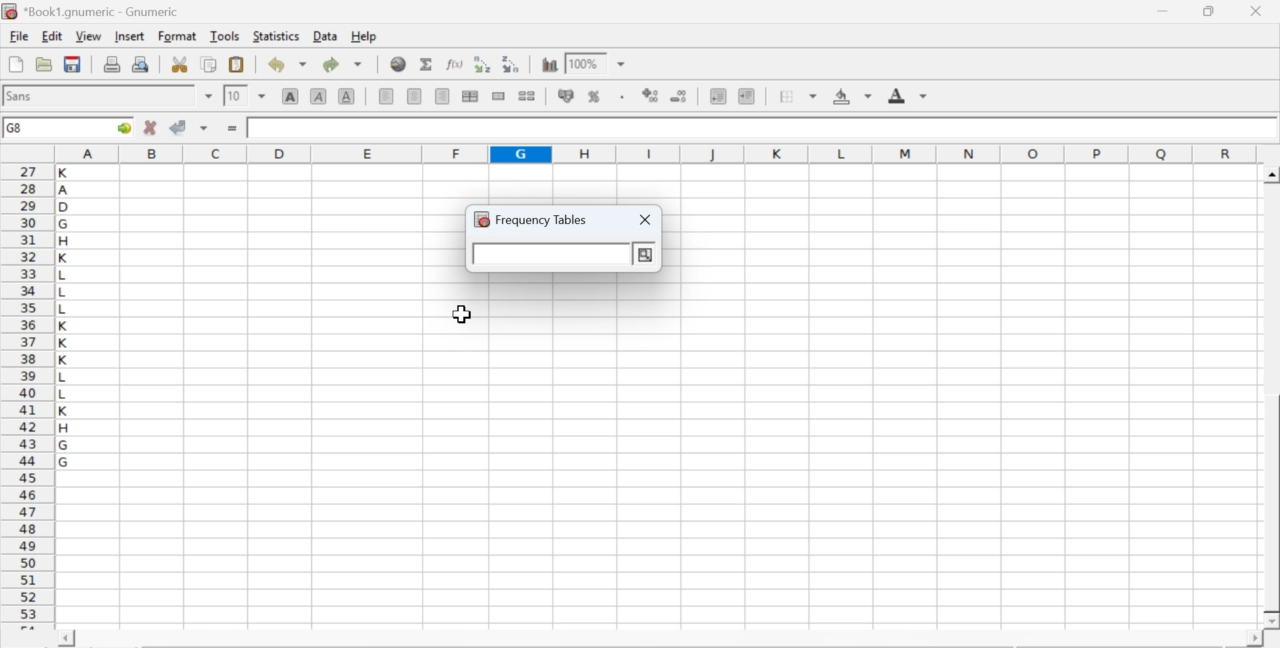 The height and width of the screenshot is (648, 1280). What do you see at coordinates (22, 95) in the screenshot?
I see `font` at bounding box center [22, 95].